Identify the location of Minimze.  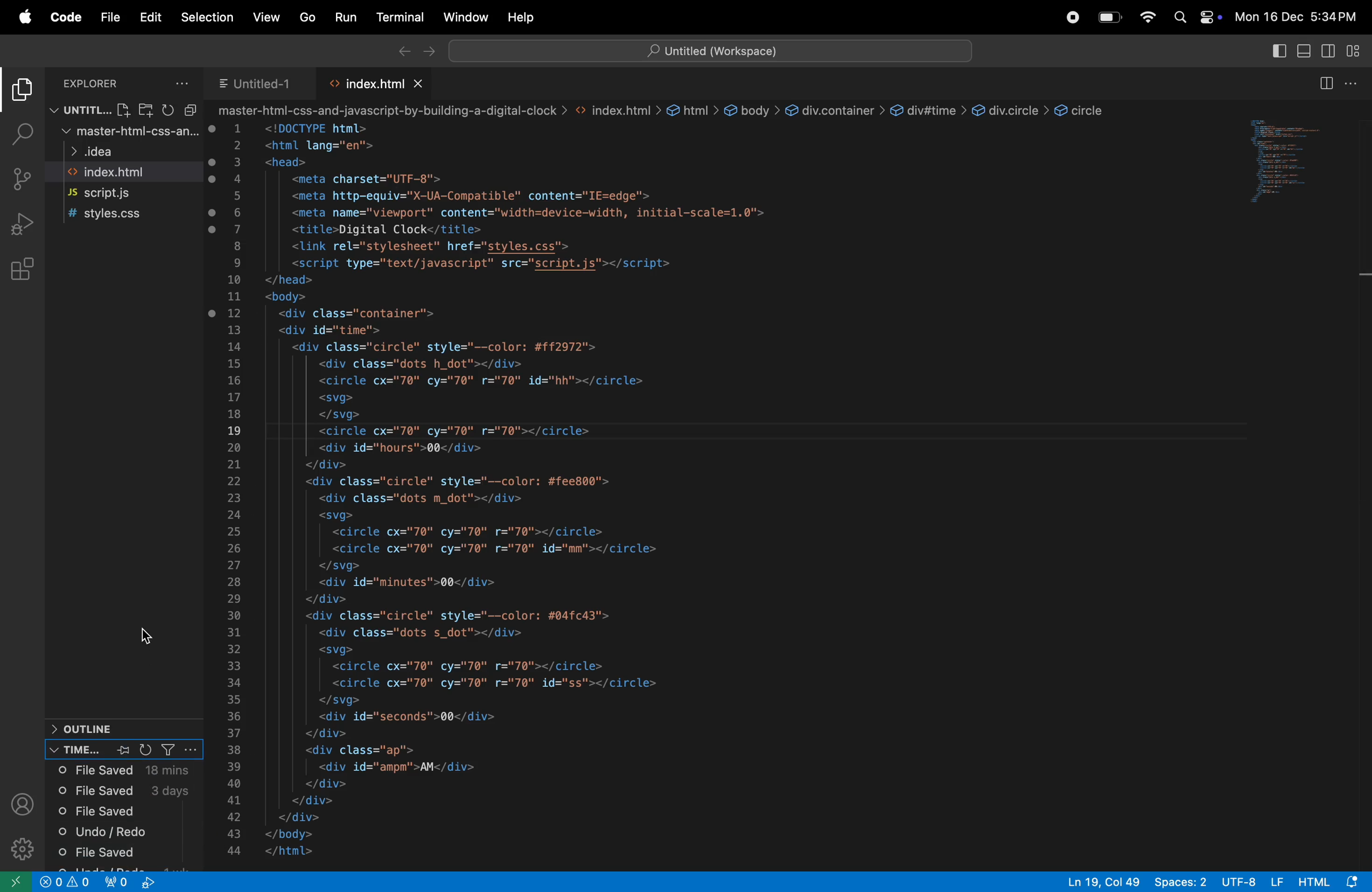
(190, 110).